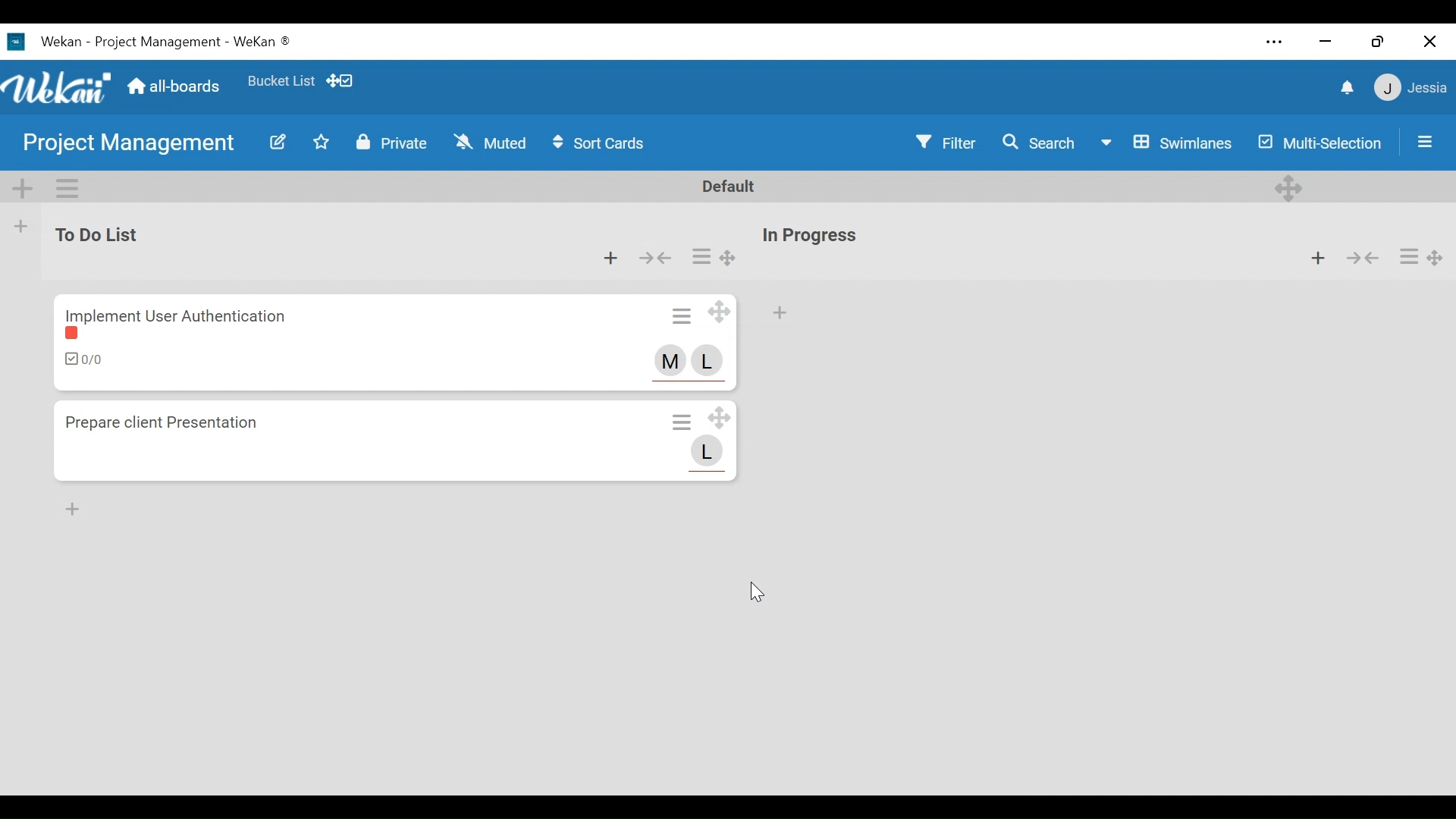  Describe the element at coordinates (394, 142) in the screenshot. I see `Private` at that location.